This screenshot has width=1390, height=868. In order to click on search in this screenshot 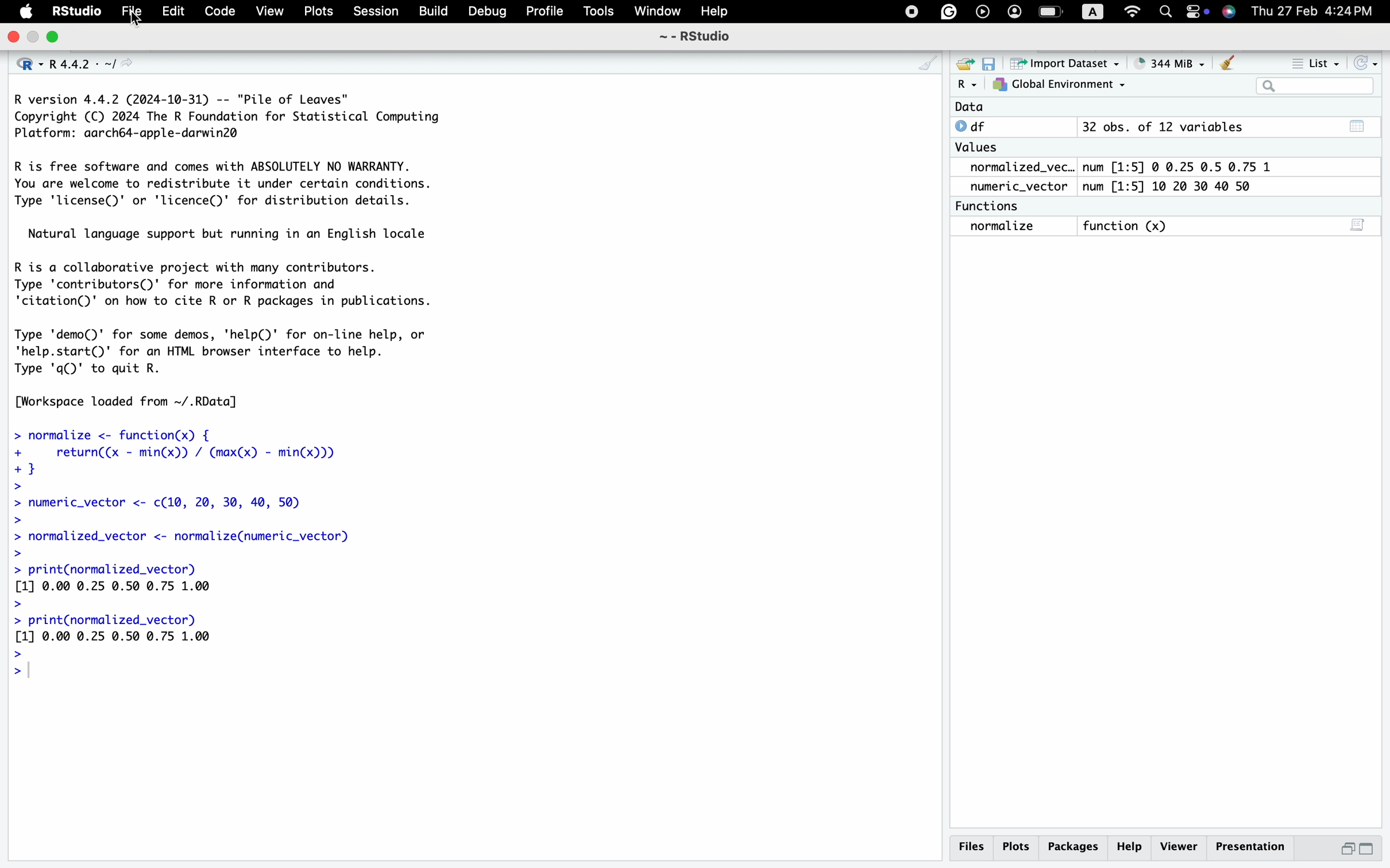, I will do `click(1165, 13)`.